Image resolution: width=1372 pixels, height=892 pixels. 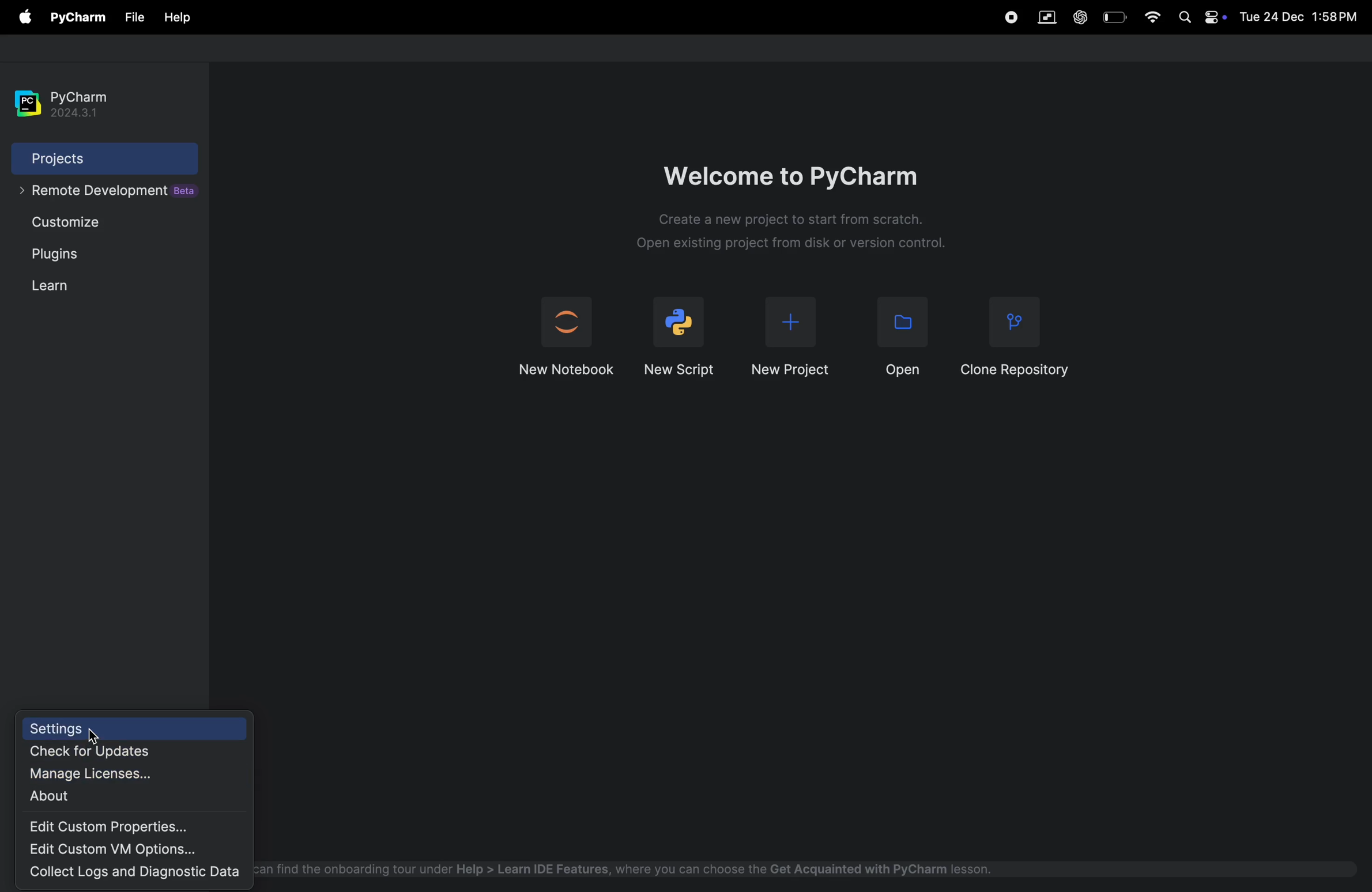 I want to click on about, so click(x=97, y=797).